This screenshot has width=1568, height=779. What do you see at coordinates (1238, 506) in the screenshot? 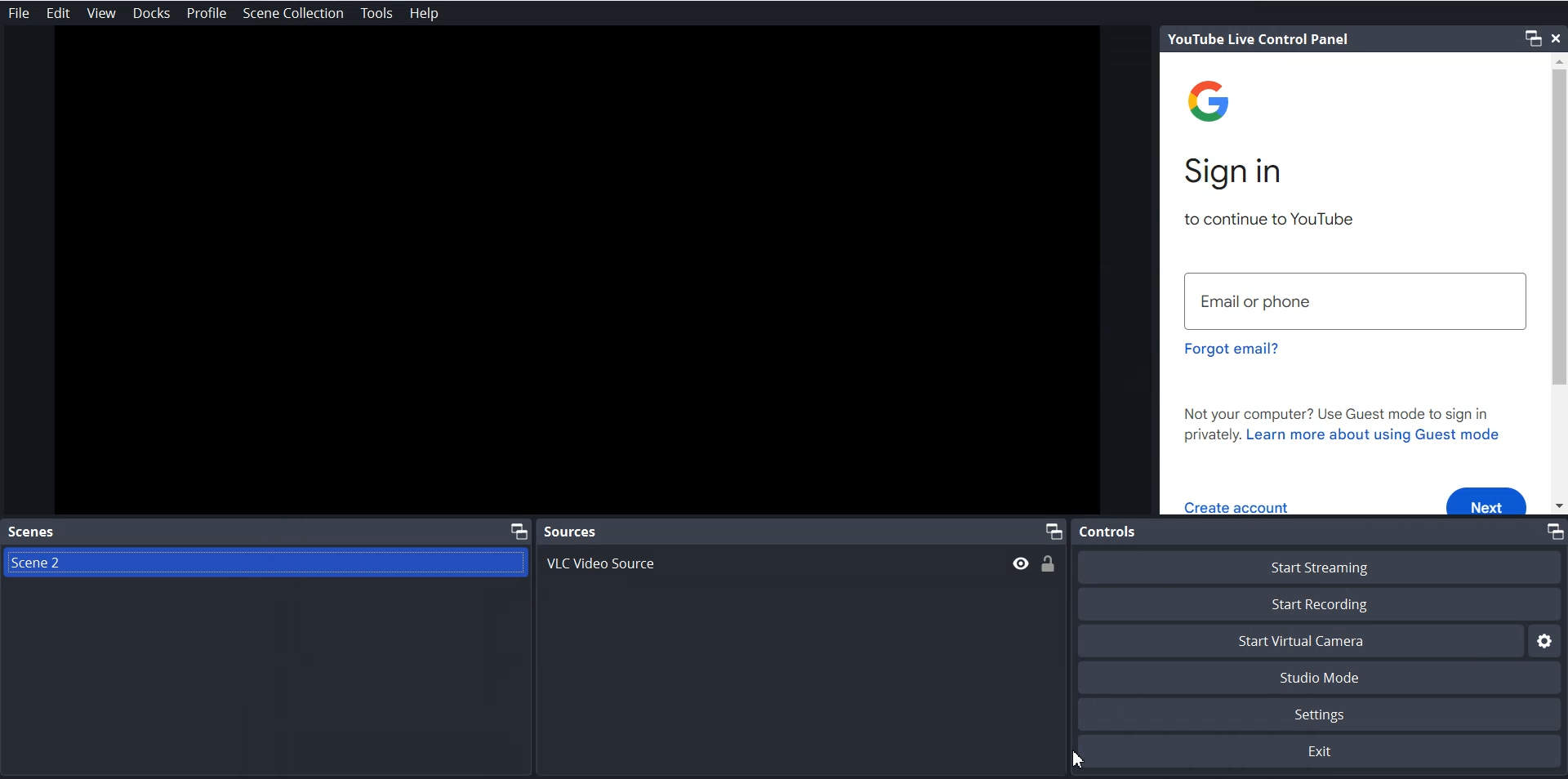
I see `Create account` at bounding box center [1238, 506].